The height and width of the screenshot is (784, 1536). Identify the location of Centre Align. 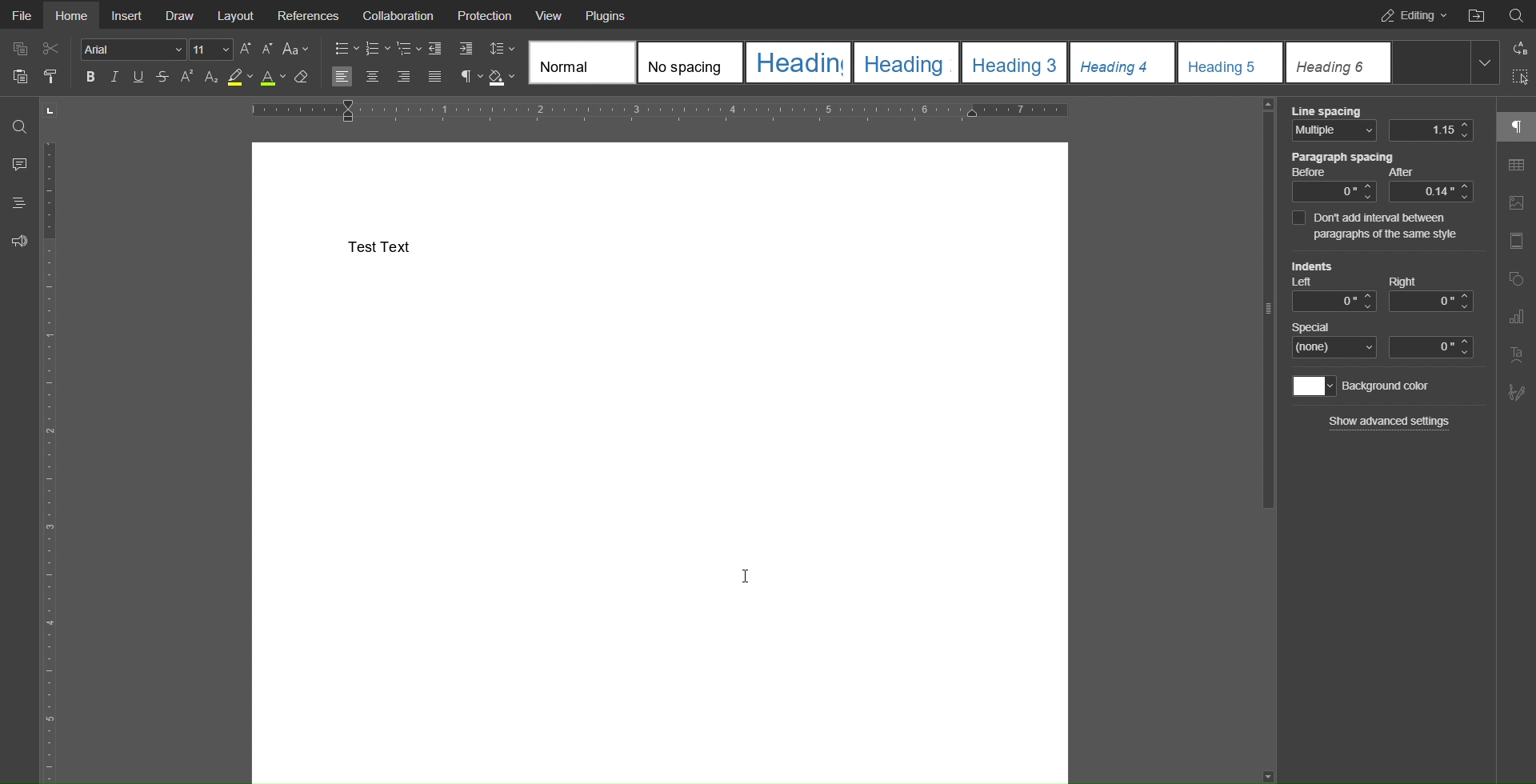
(374, 78).